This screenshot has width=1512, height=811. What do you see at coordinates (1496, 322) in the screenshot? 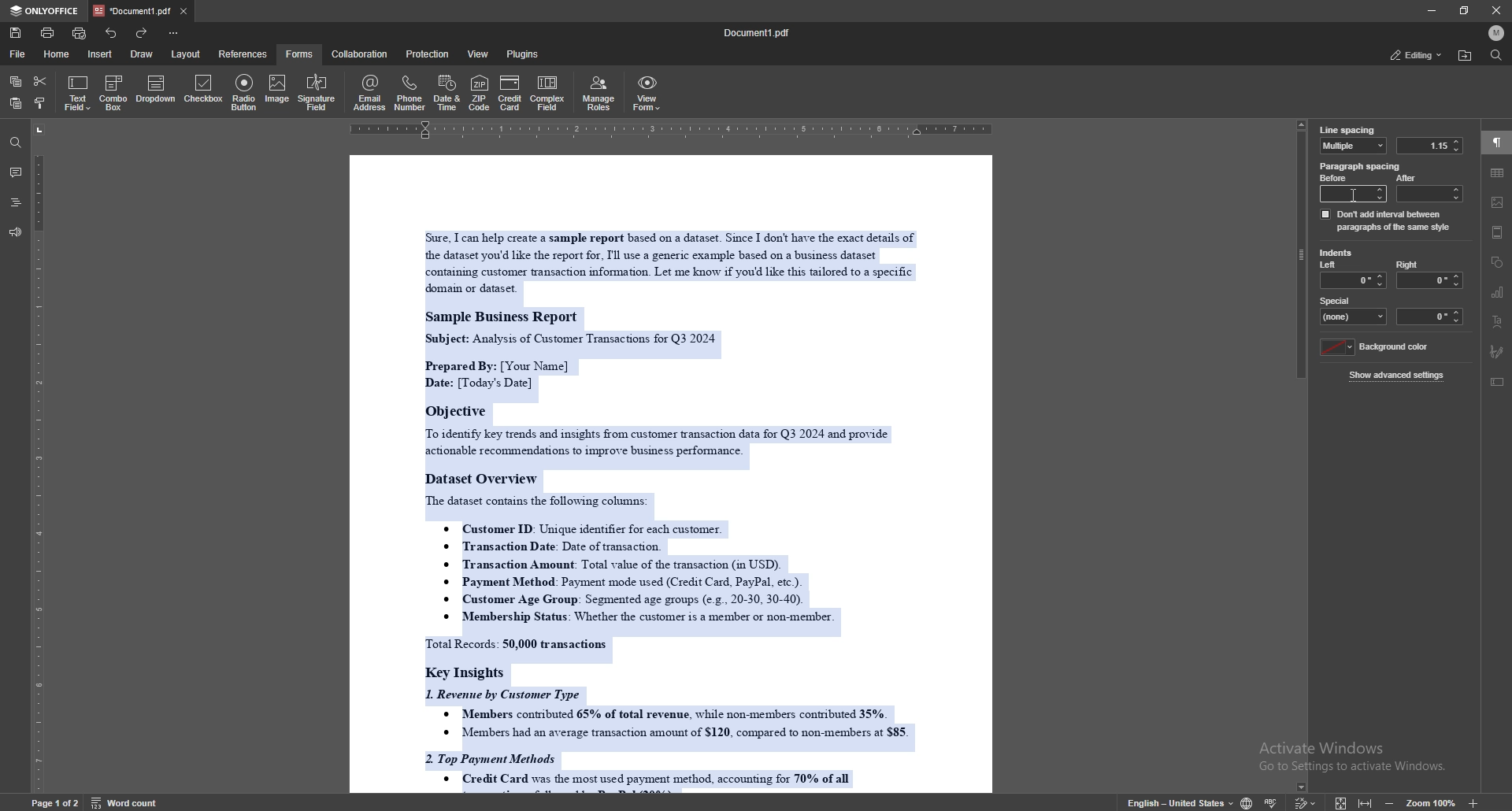
I see `text art` at bounding box center [1496, 322].